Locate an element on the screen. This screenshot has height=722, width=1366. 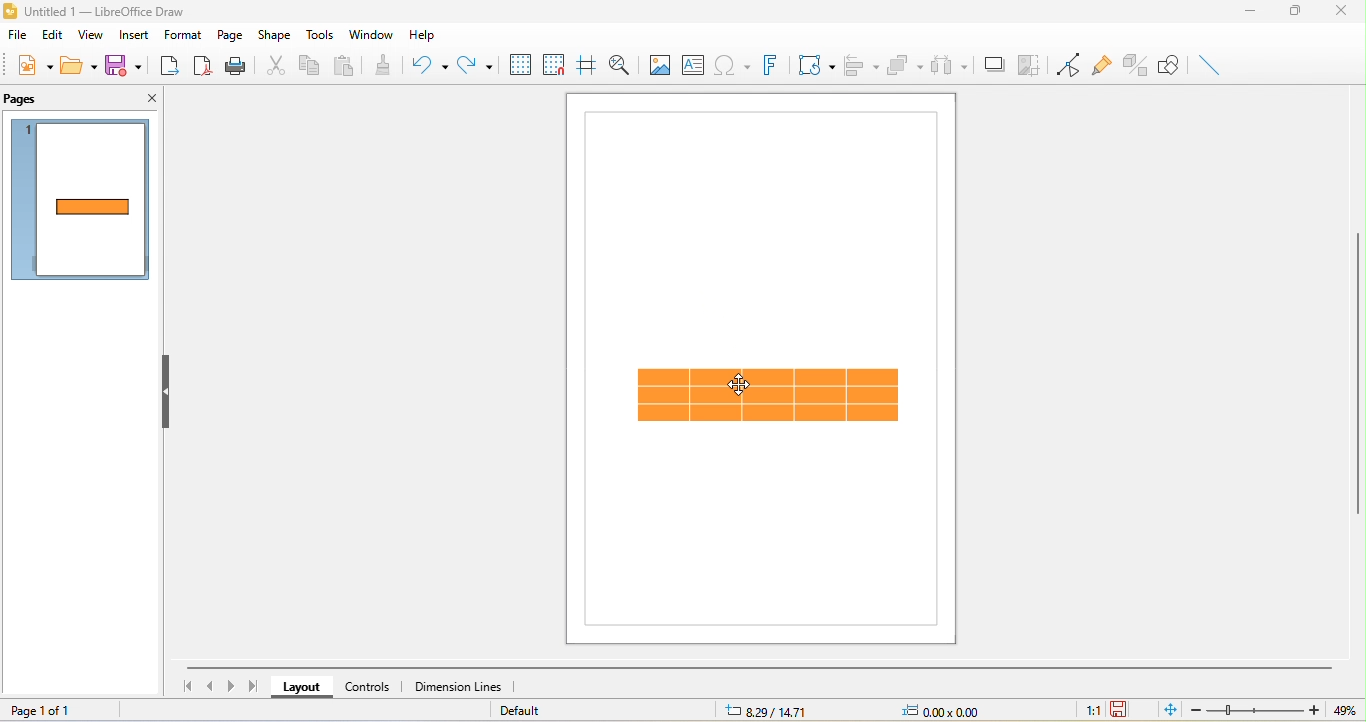
select at least three object to distribute is located at coordinates (950, 64).